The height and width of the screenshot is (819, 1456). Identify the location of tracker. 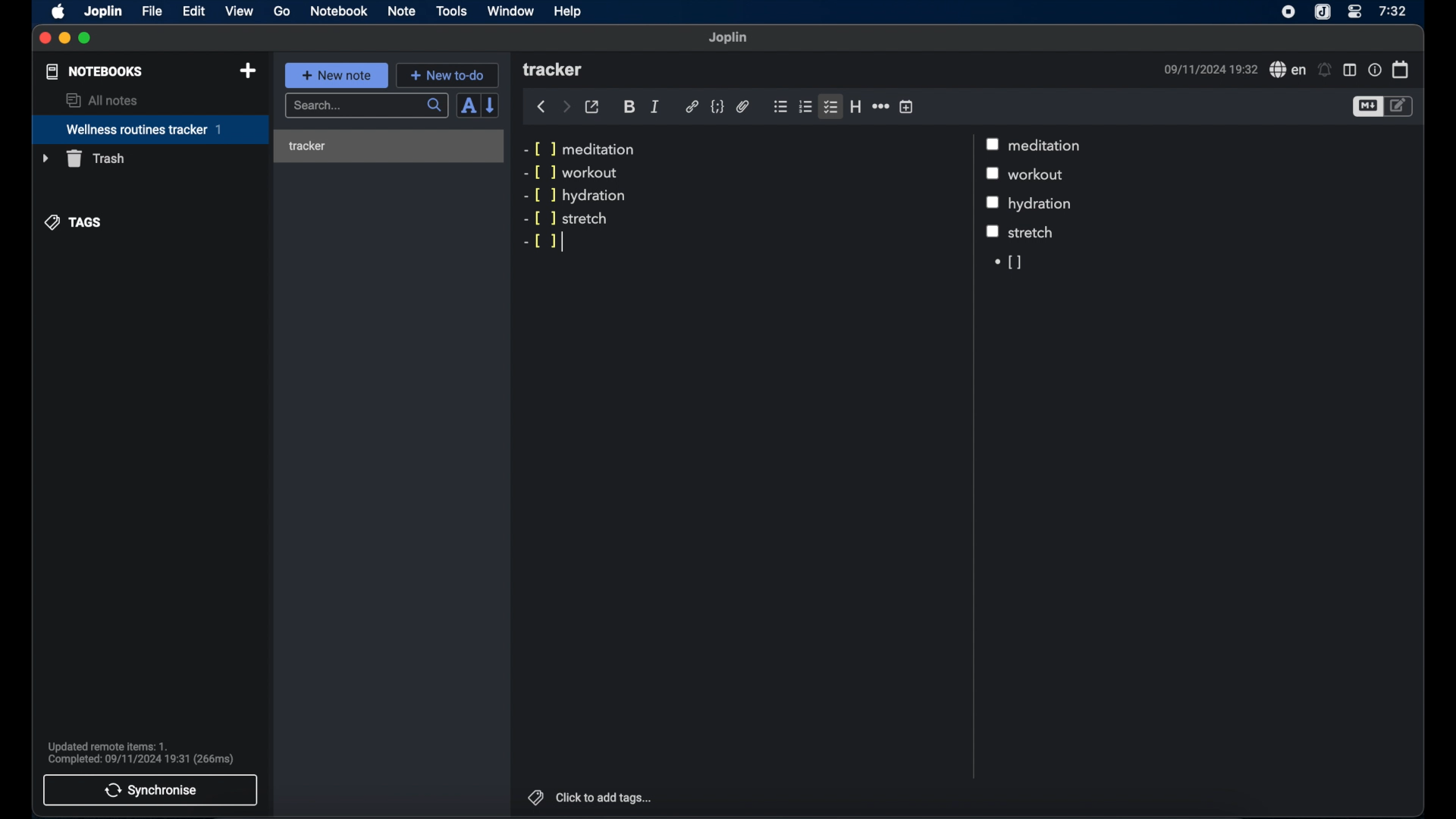
(386, 143).